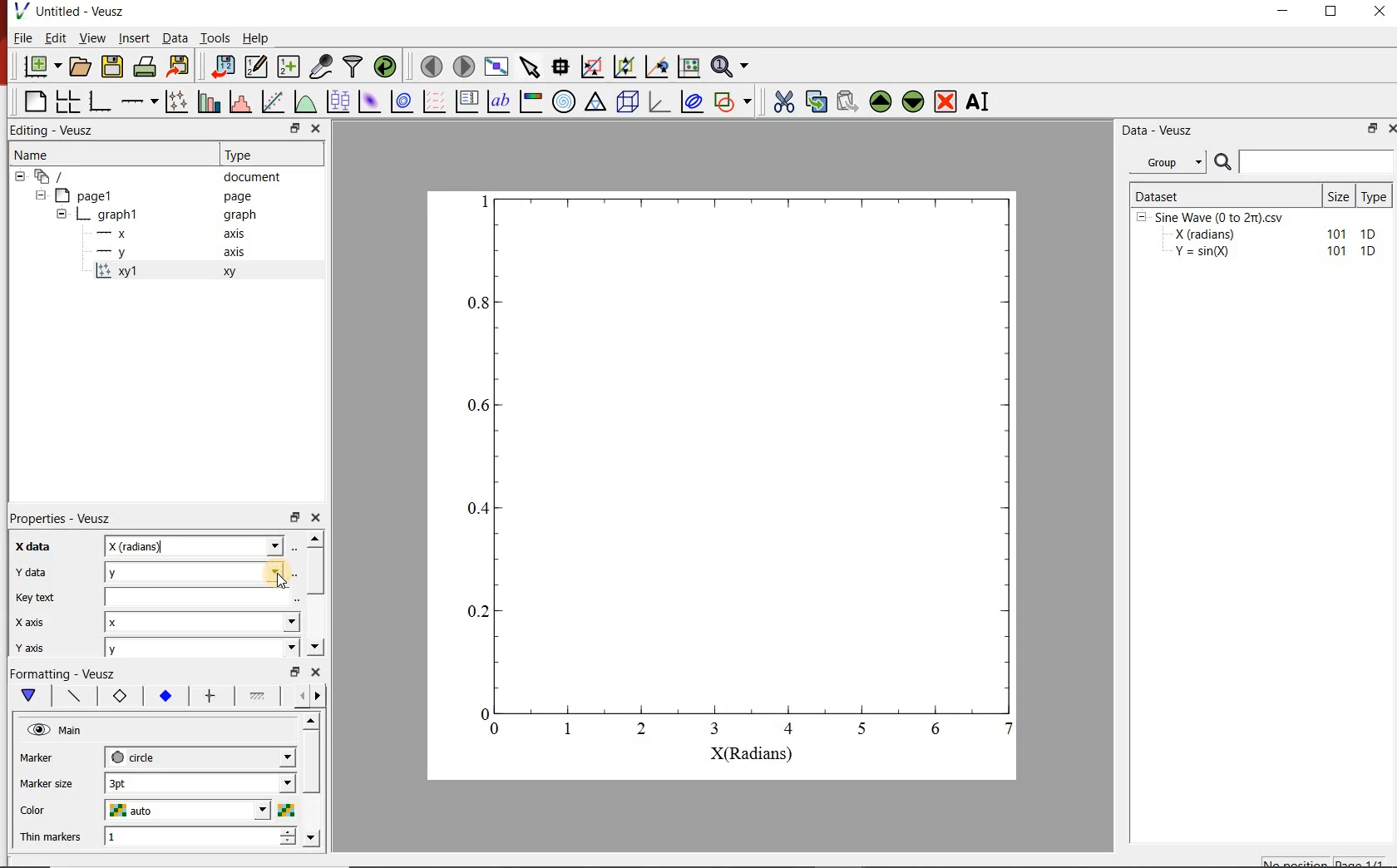  What do you see at coordinates (35, 101) in the screenshot?
I see `Blank page` at bounding box center [35, 101].